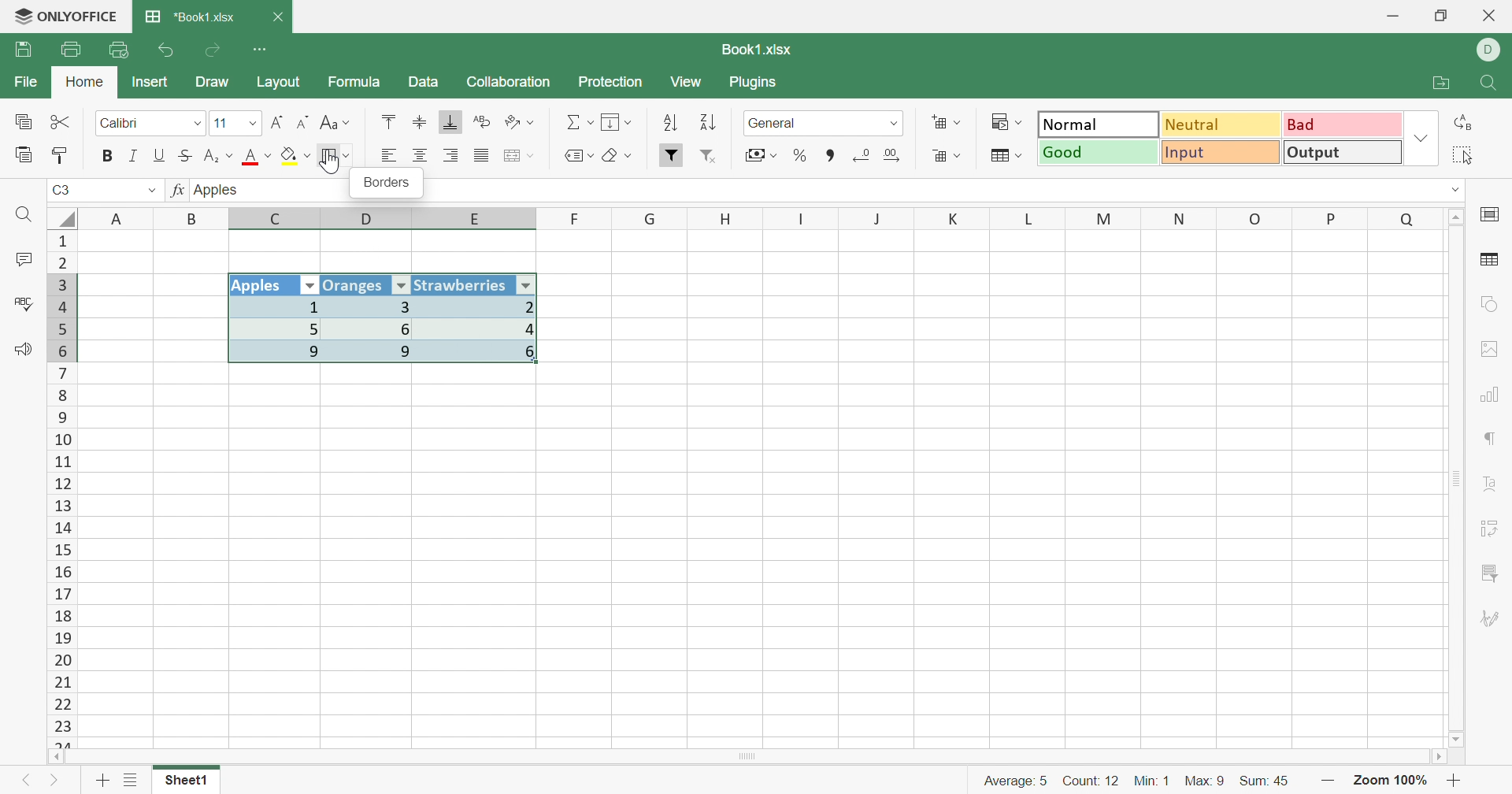 The width and height of the screenshot is (1512, 794). What do you see at coordinates (1256, 219) in the screenshot?
I see `O` at bounding box center [1256, 219].